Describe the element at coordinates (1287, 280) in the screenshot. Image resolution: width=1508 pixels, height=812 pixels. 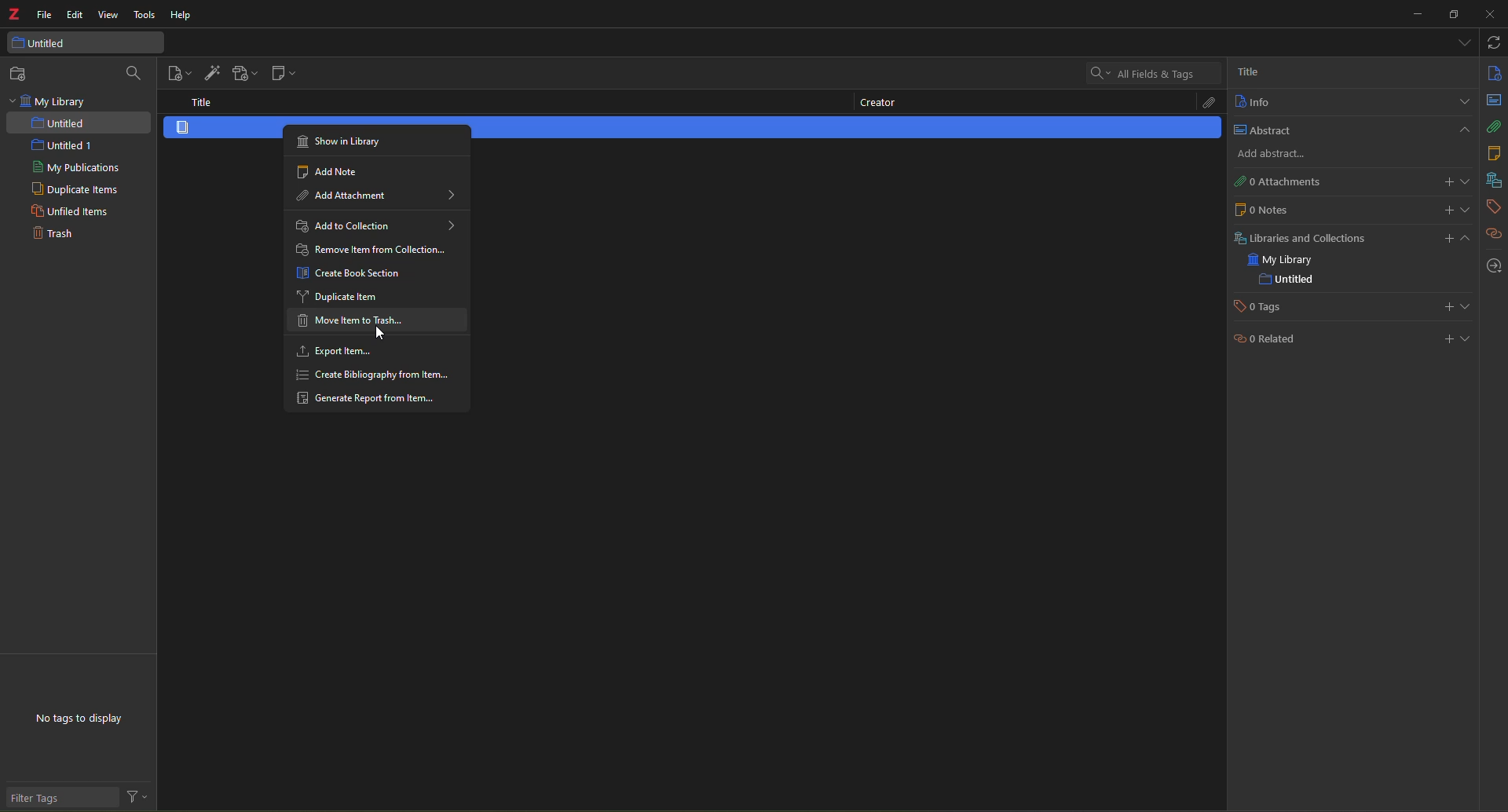
I see `untitled` at that location.